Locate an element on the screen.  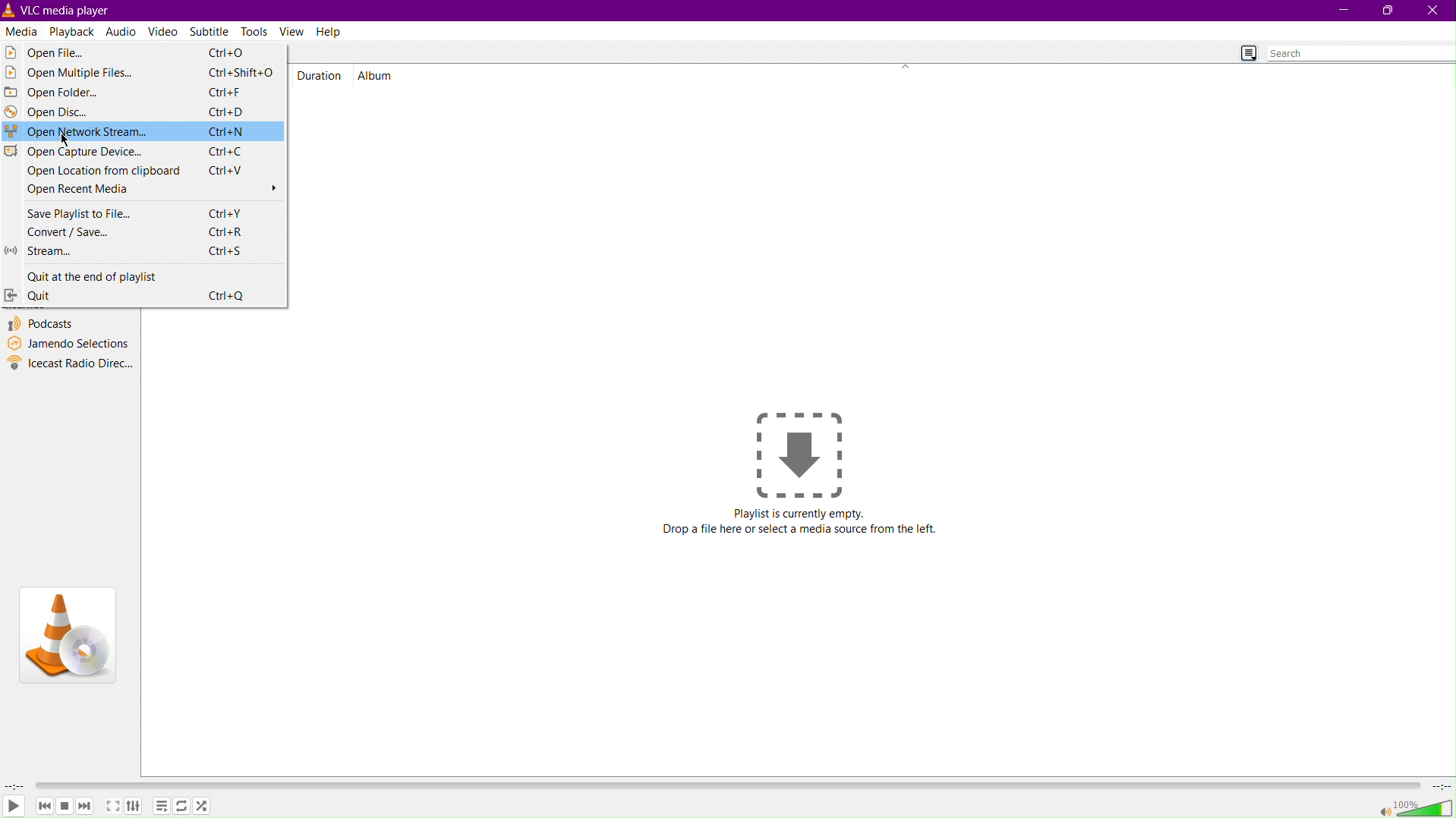
Close is located at coordinates (1433, 11).